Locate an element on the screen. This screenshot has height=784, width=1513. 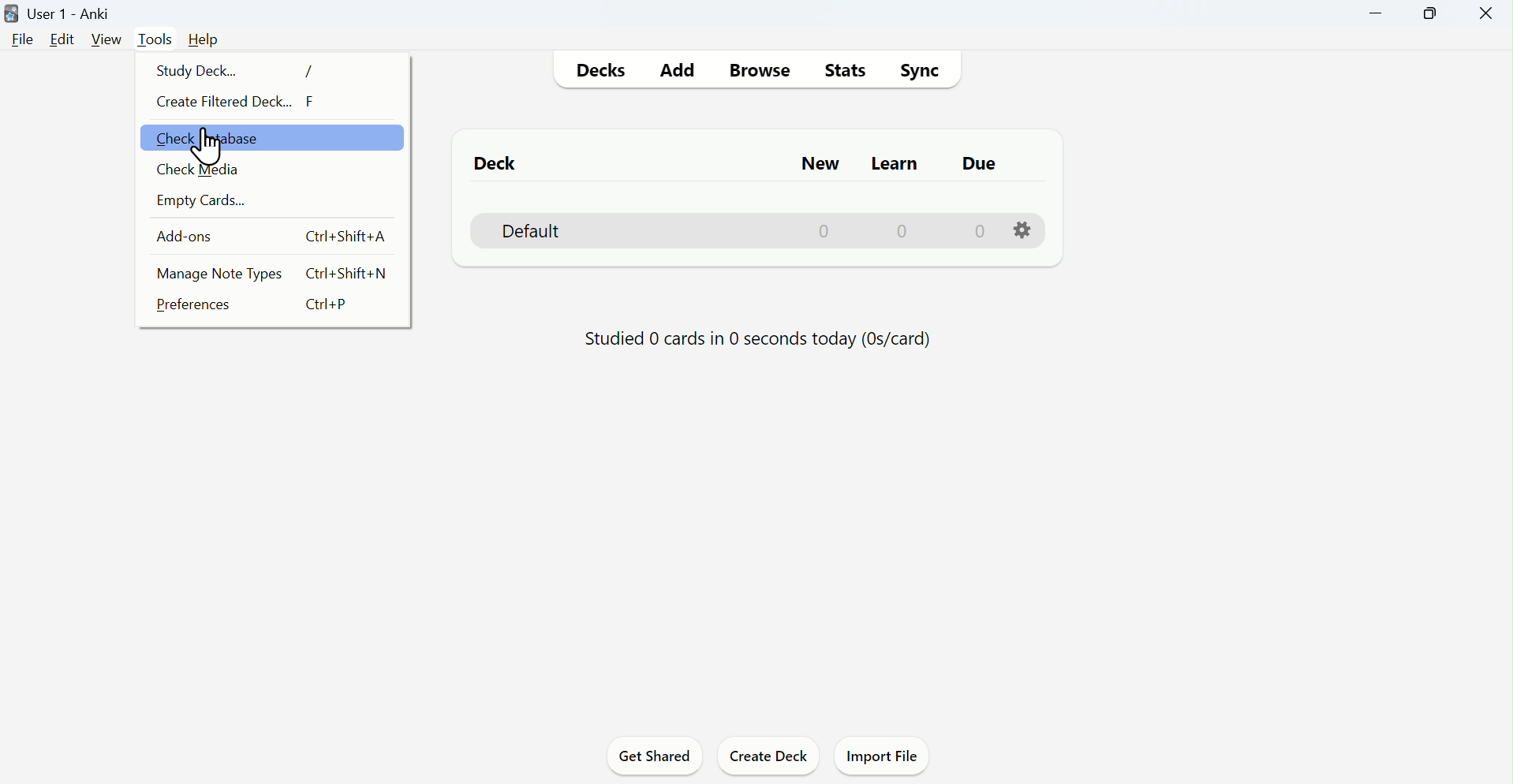
Manage note types is located at coordinates (279, 275).